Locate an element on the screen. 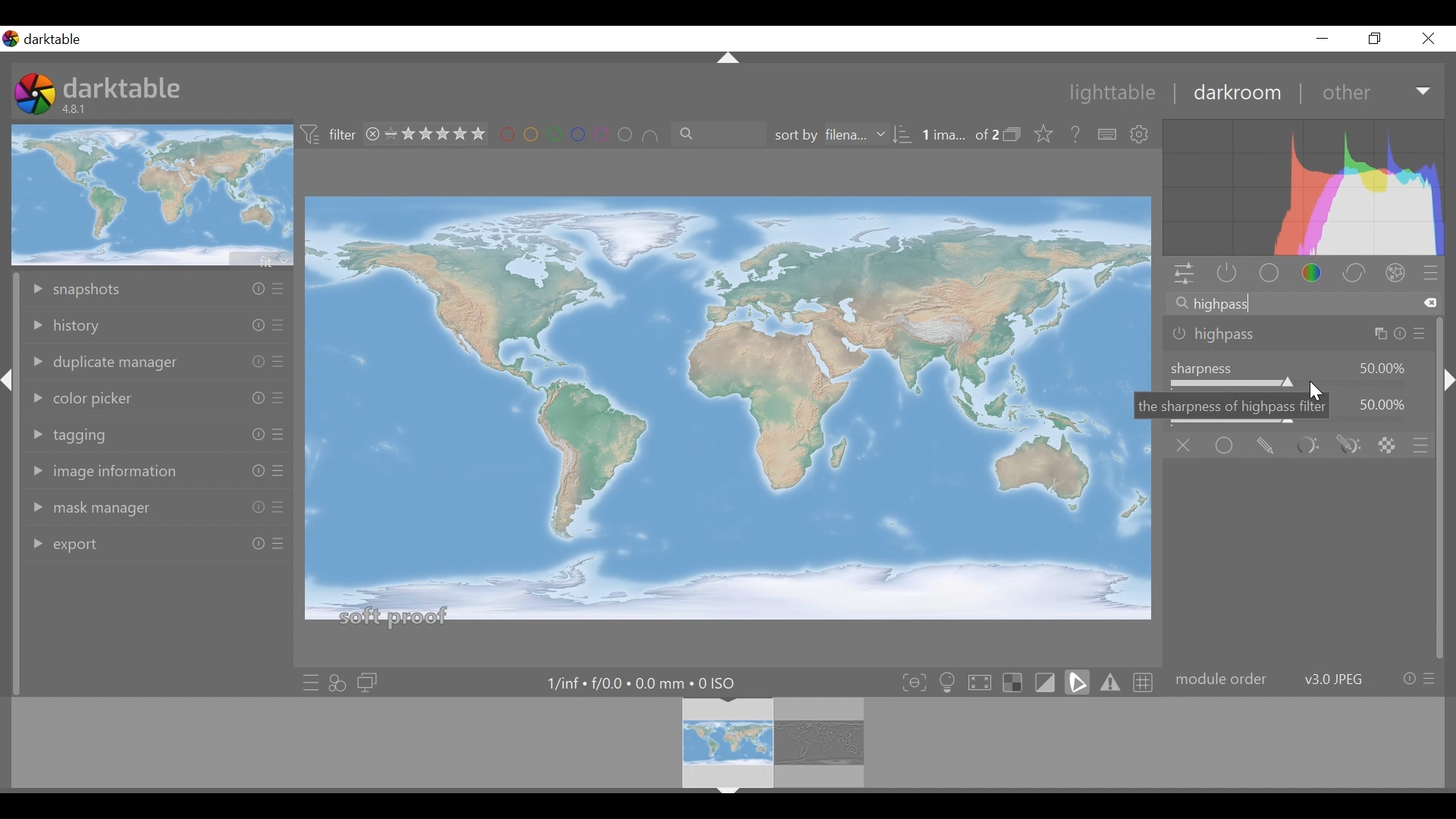  toggle high quality processing is located at coordinates (979, 680).